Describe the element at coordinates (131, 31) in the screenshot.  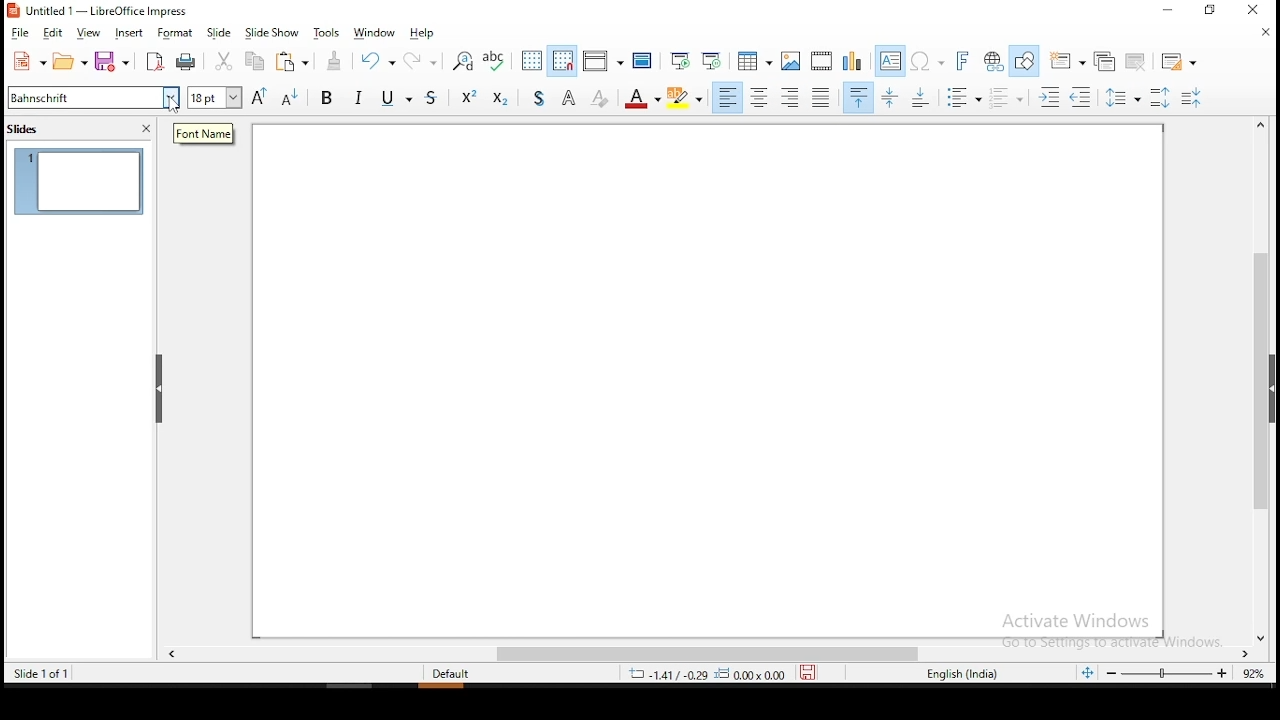
I see `insert` at that location.